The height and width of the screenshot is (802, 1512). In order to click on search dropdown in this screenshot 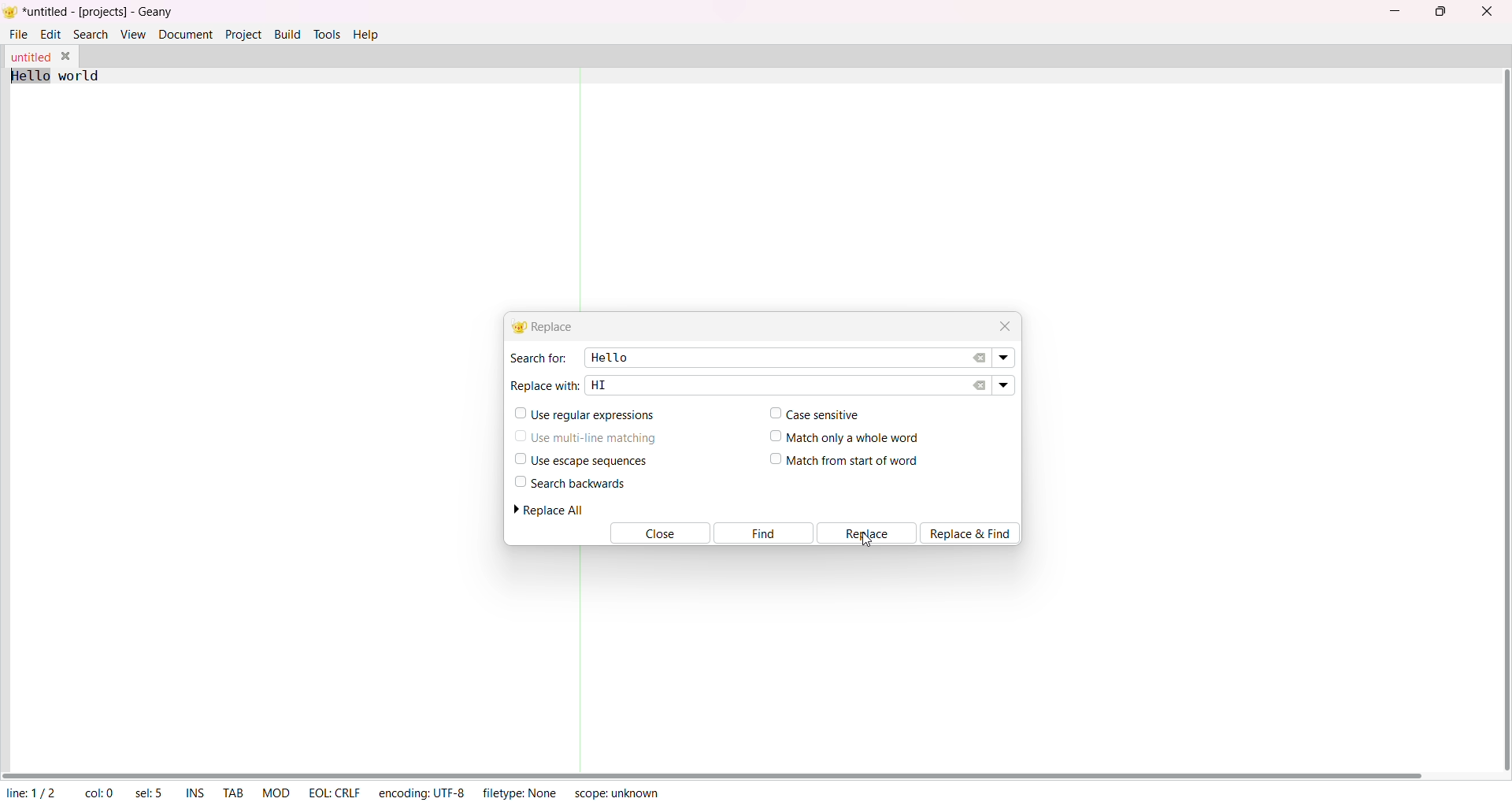, I will do `click(1006, 358)`.